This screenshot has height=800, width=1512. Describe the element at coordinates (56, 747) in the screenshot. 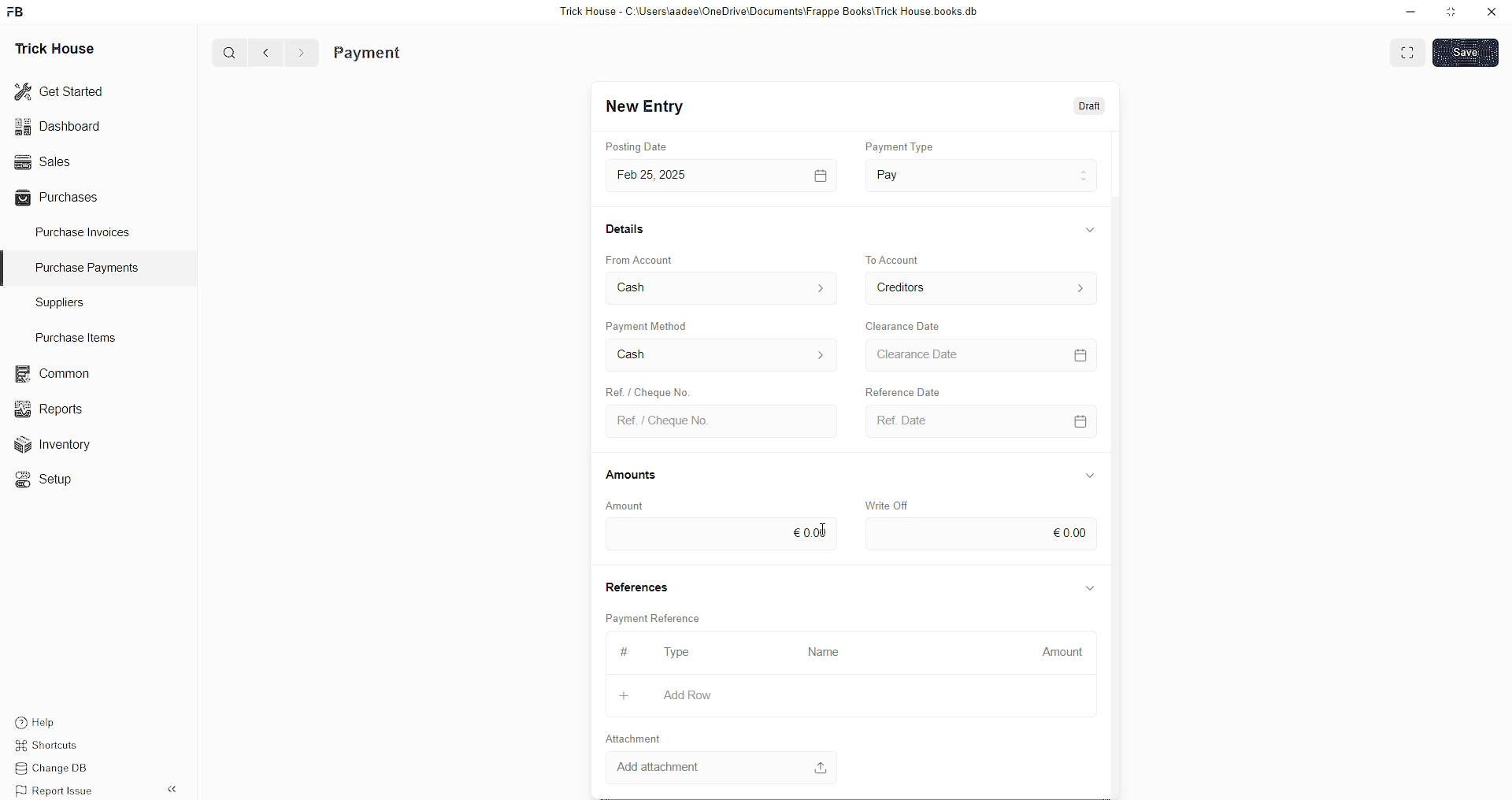

I see `Shortcuts` at that location.